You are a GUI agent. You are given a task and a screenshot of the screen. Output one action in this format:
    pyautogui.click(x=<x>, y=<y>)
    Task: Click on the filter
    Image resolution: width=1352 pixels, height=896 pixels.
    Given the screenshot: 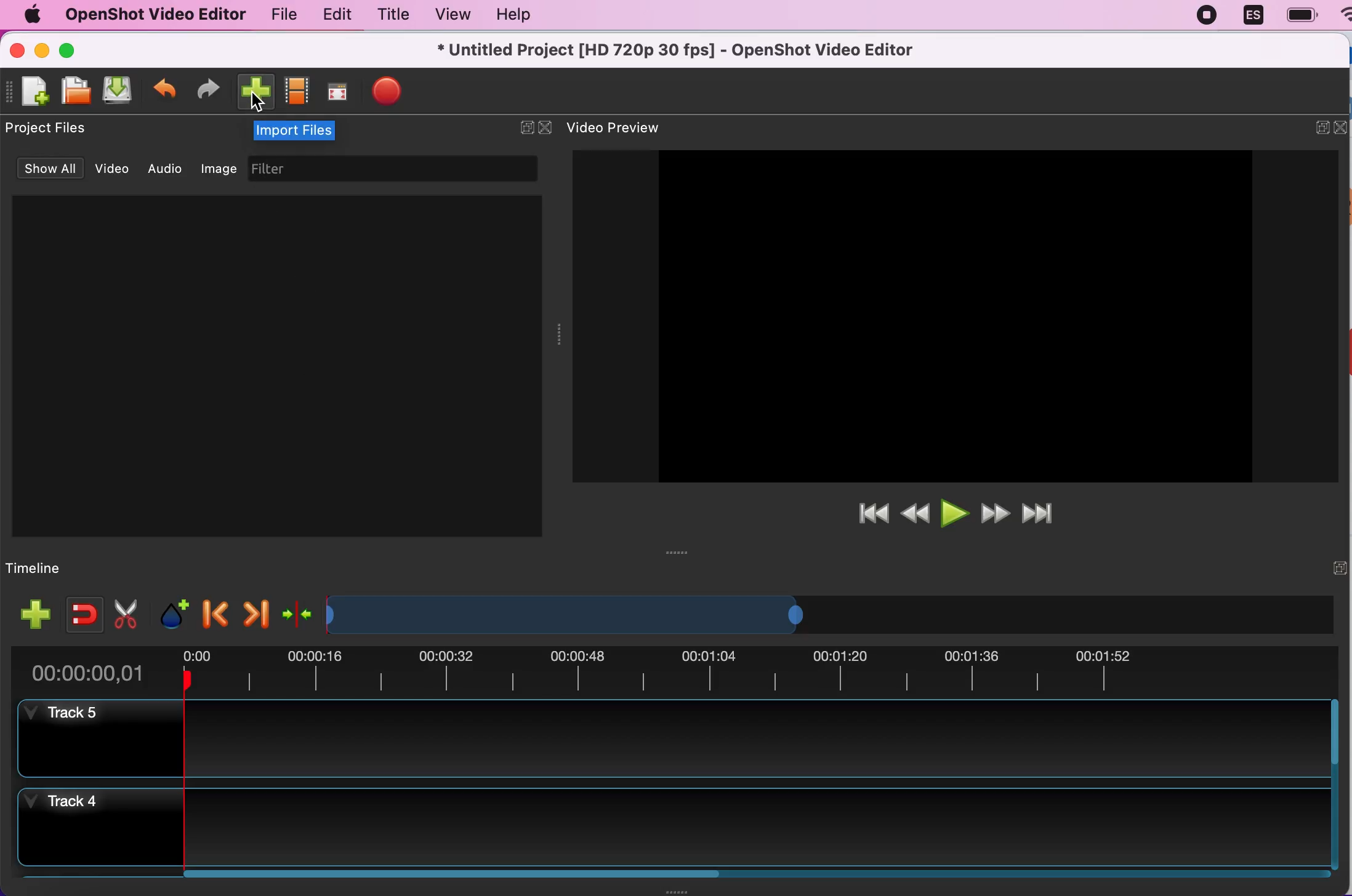 What is the action you would take?
    pyautogui.click(x=395, y=166)
    